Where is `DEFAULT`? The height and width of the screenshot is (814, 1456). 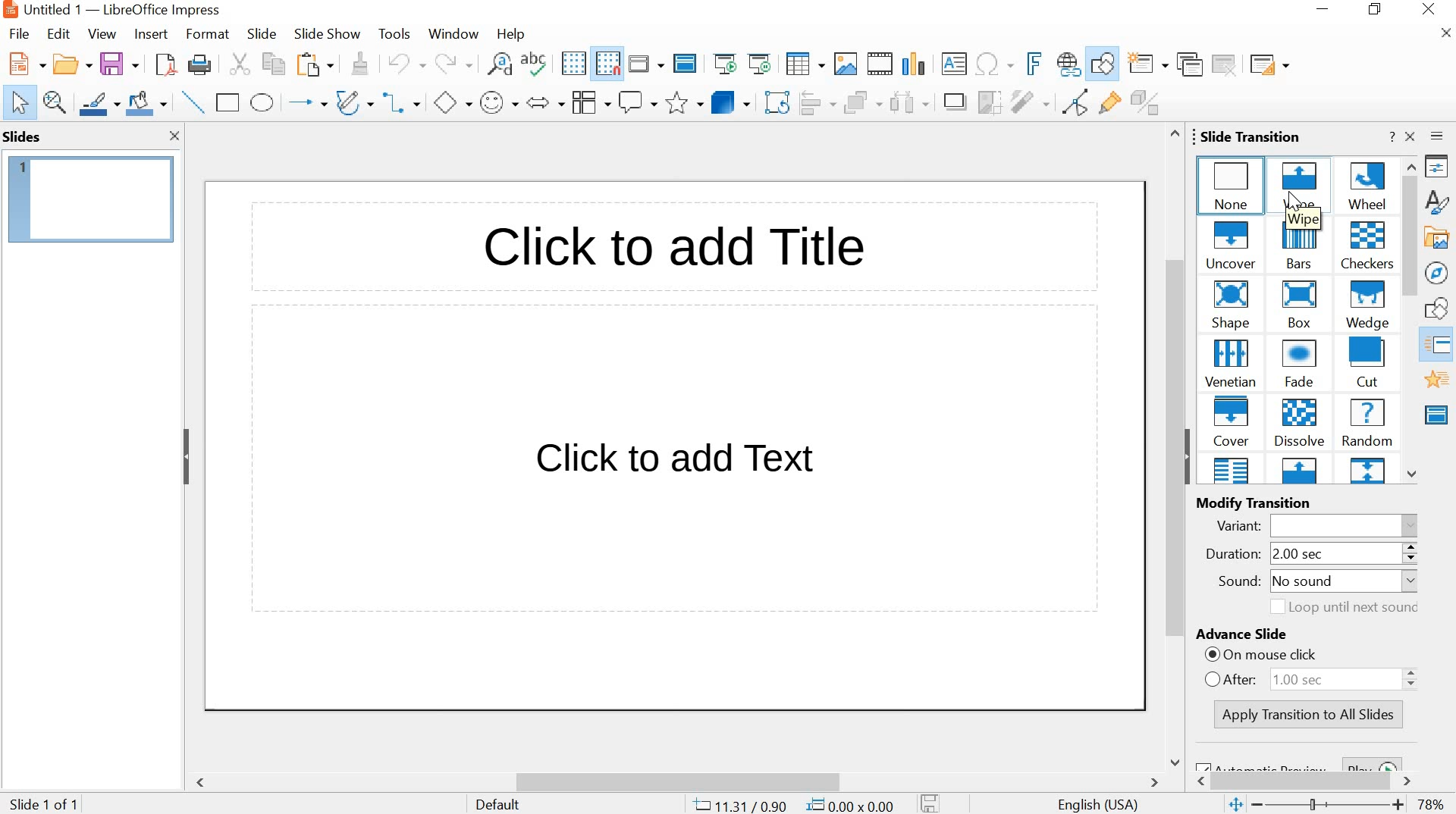
DEFAULT is located at coordinates (510, 803).